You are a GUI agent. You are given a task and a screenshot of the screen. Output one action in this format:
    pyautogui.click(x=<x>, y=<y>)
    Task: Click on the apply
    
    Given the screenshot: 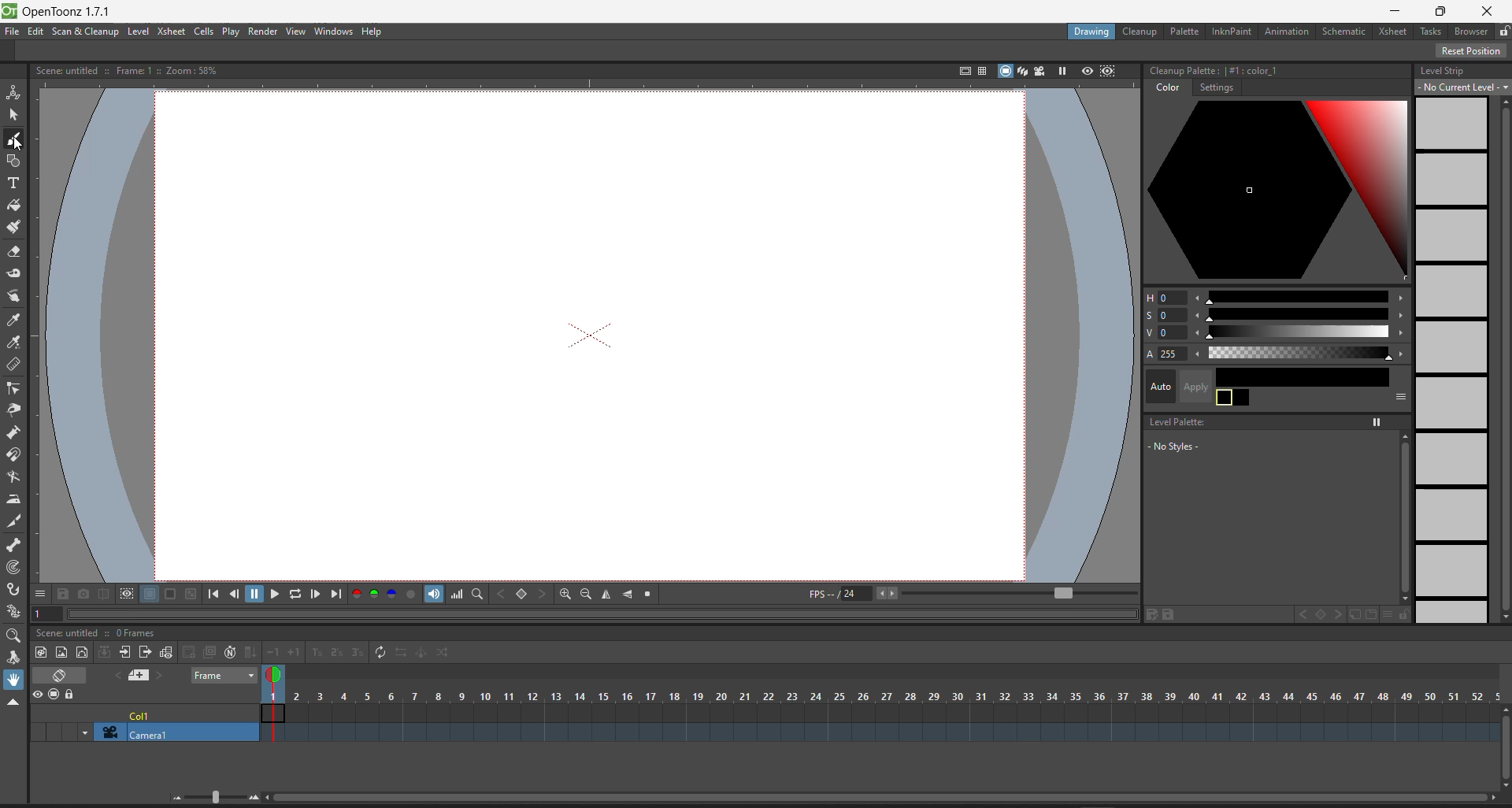 What is the action you would take?
    pyautogui.click(x=1189, y=385)
    